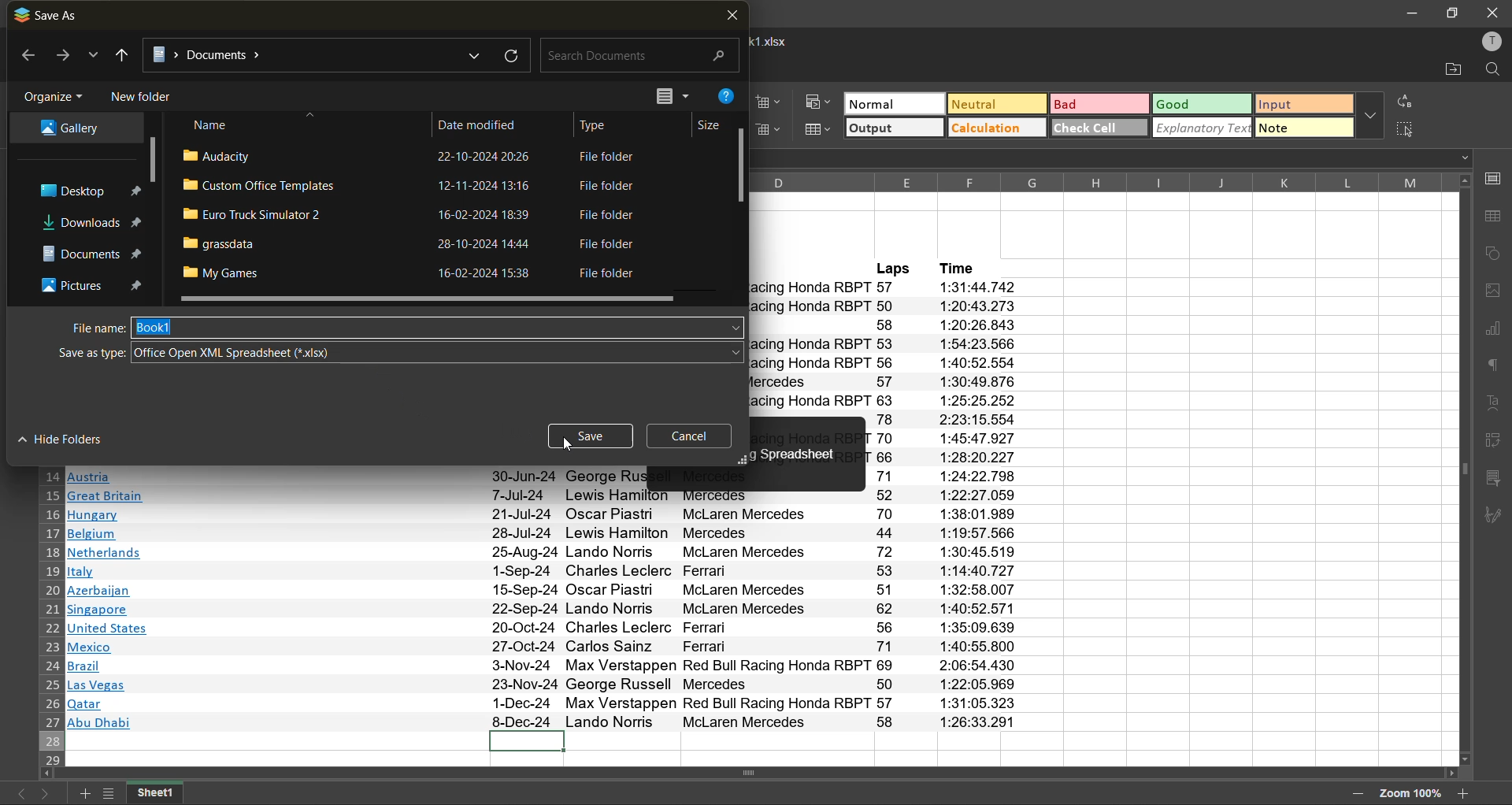  I want to click on #8 Abu Dhabi 8-Dec-24 Lando Norris McLaren Mercedes 58 1:26:33.291, so click(543, 722).